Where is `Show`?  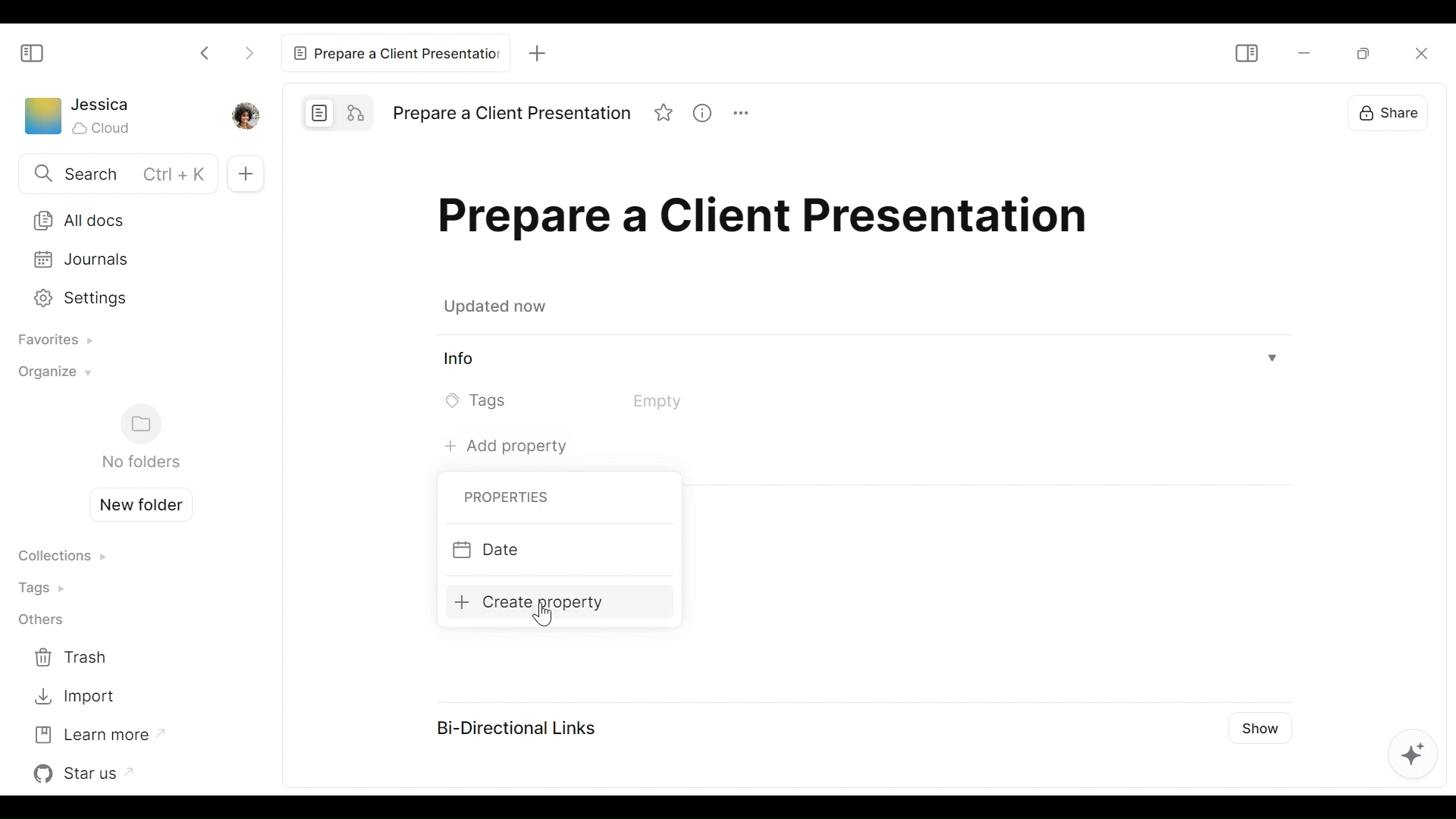
Show is located at coordinates (1263, 724).